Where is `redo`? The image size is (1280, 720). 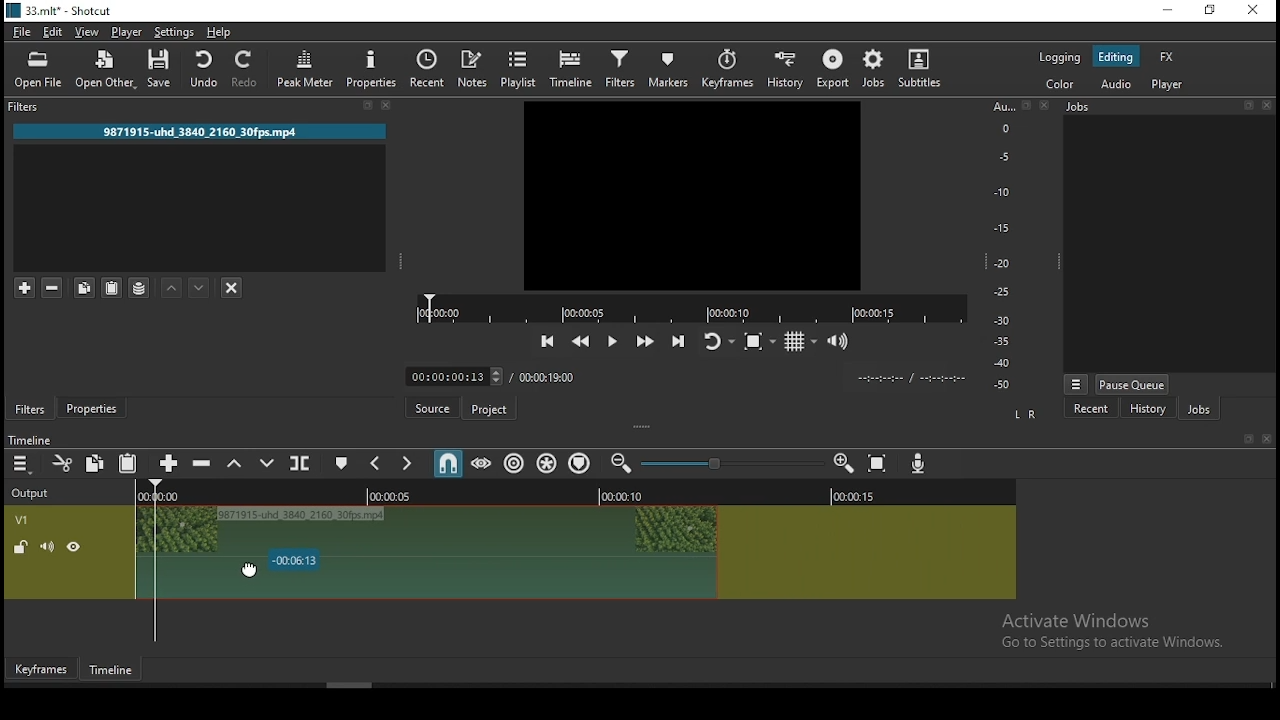 redo is located at coordinates (247, 72).